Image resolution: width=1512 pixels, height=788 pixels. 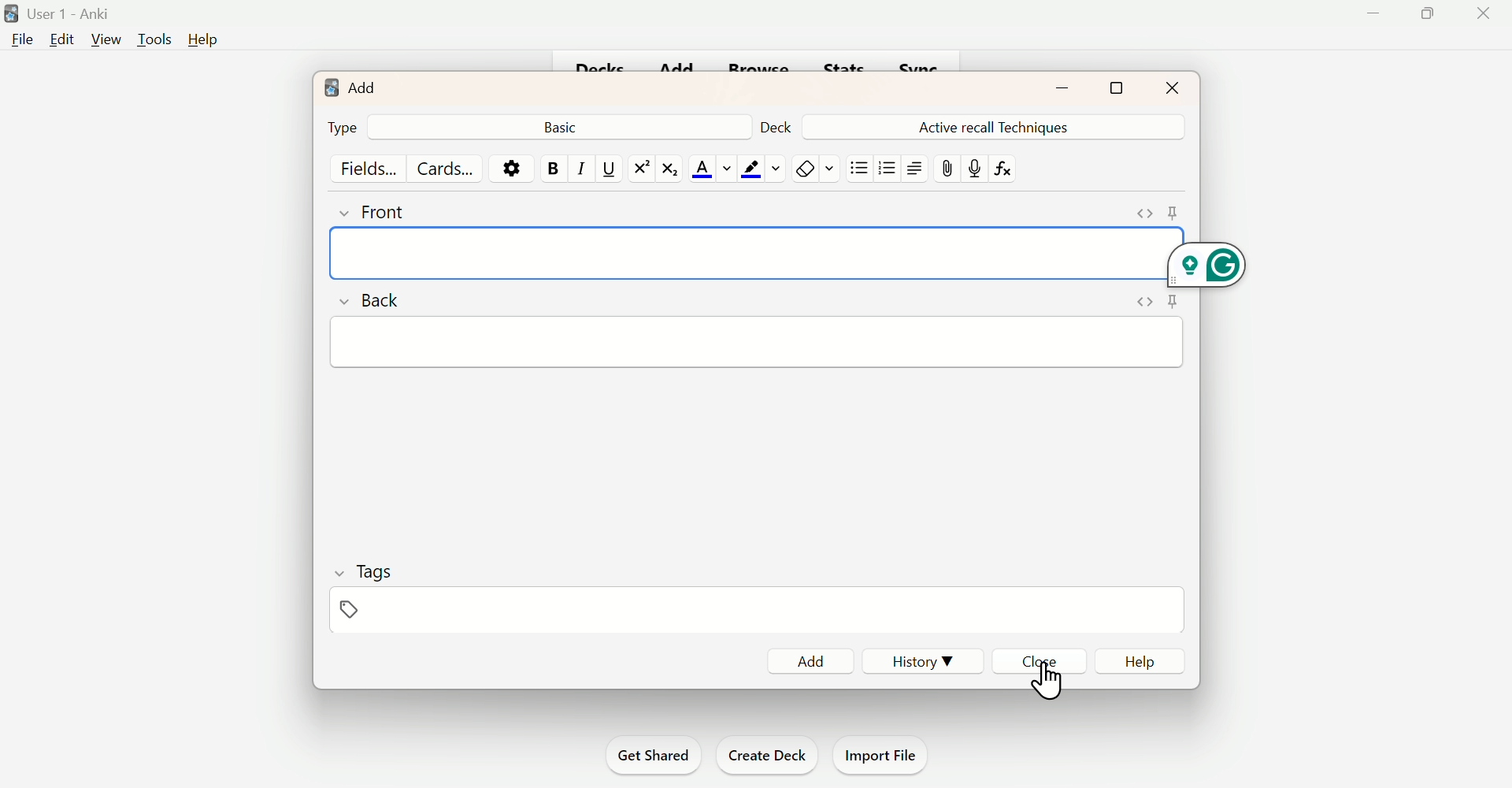 What do you see at coordinates (1047, 675) in the screenshot?
I see `cursor` at bounding box center [1047, 675].